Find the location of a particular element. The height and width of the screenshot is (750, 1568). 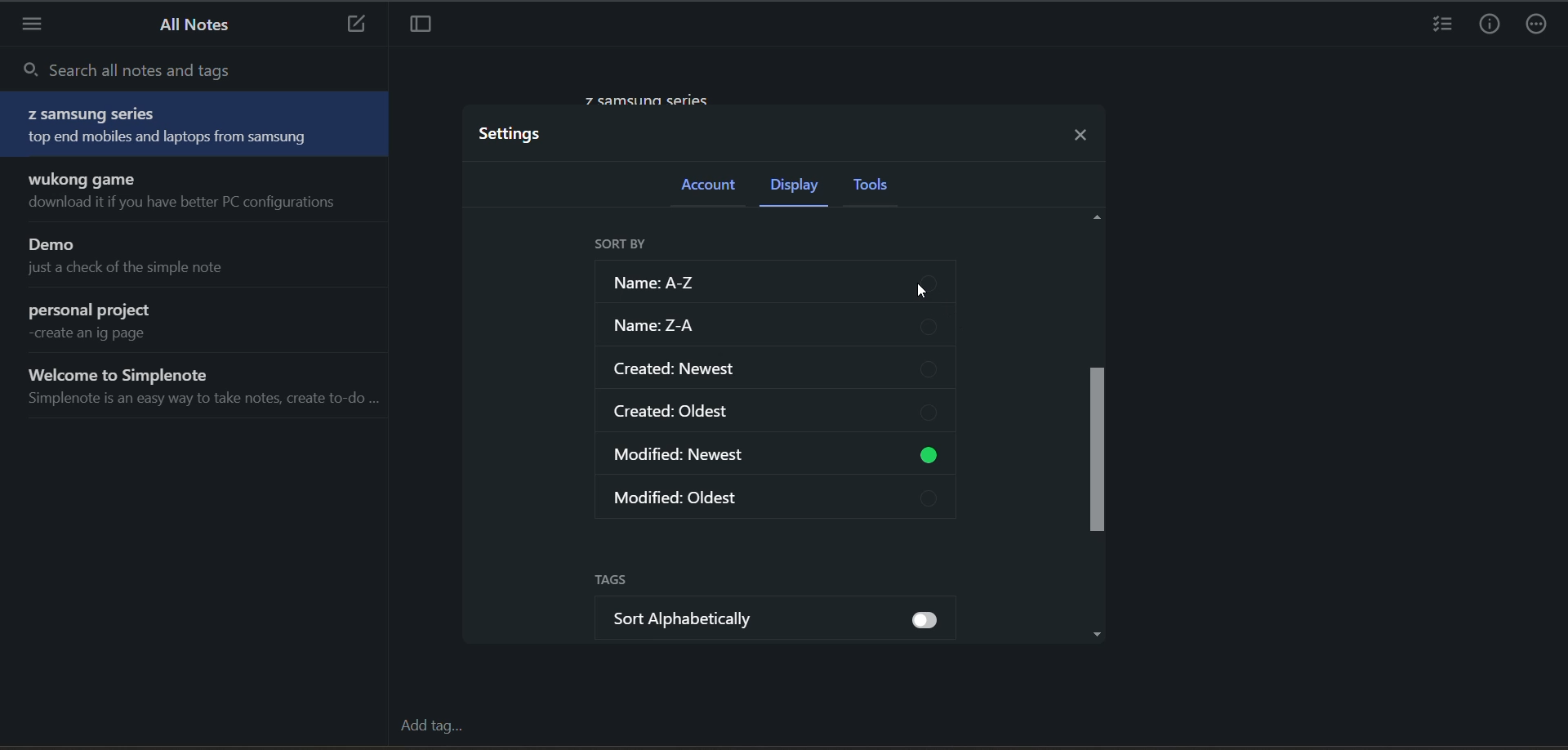

insert checklist is located at coordinates (1440, 25).